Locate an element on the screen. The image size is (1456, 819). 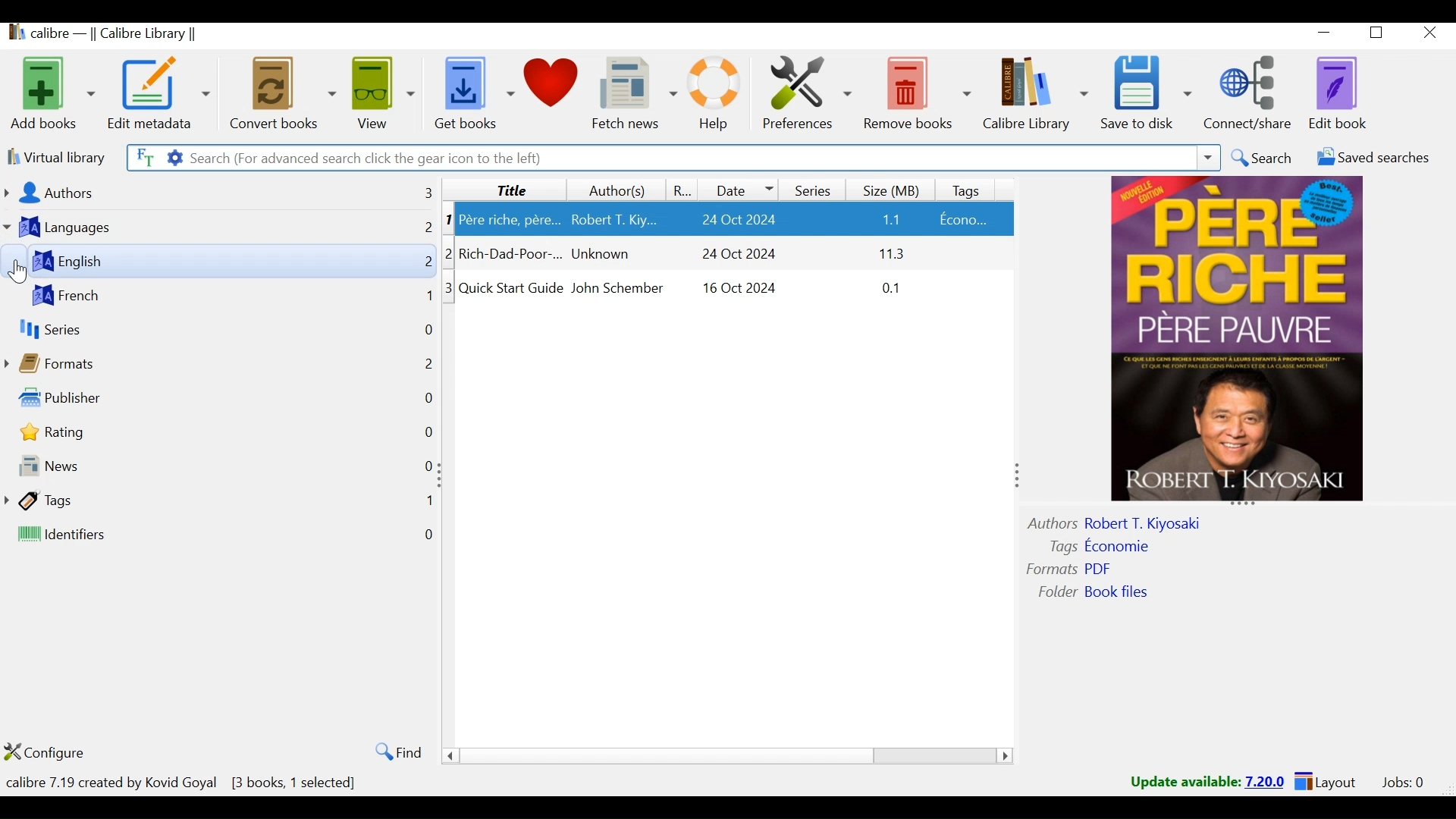
Previous search is located at coordinates (1209, 159).